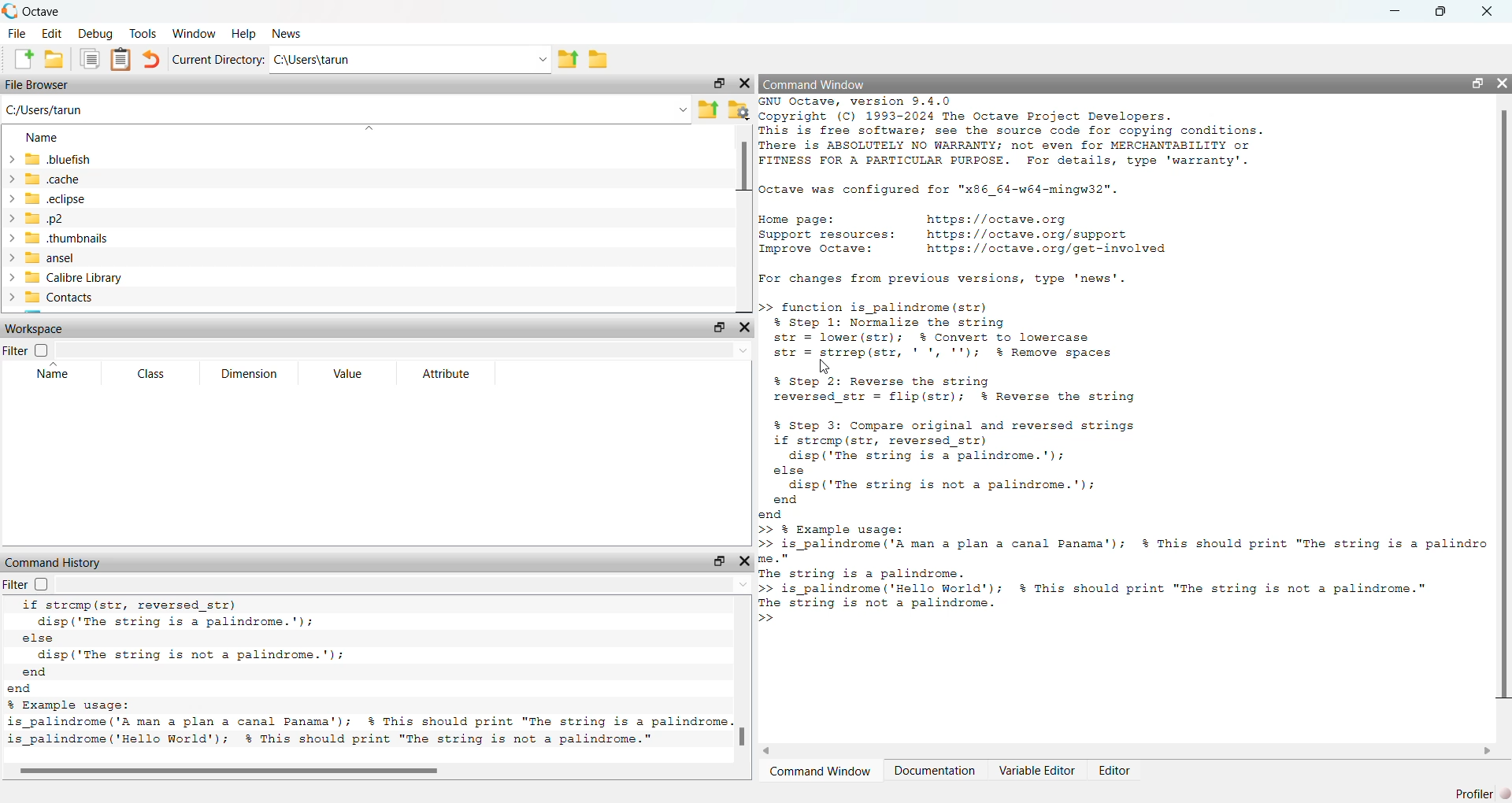  Describe the element at coordinates (142, 32) in the screenshot. I see `tools` at that location.